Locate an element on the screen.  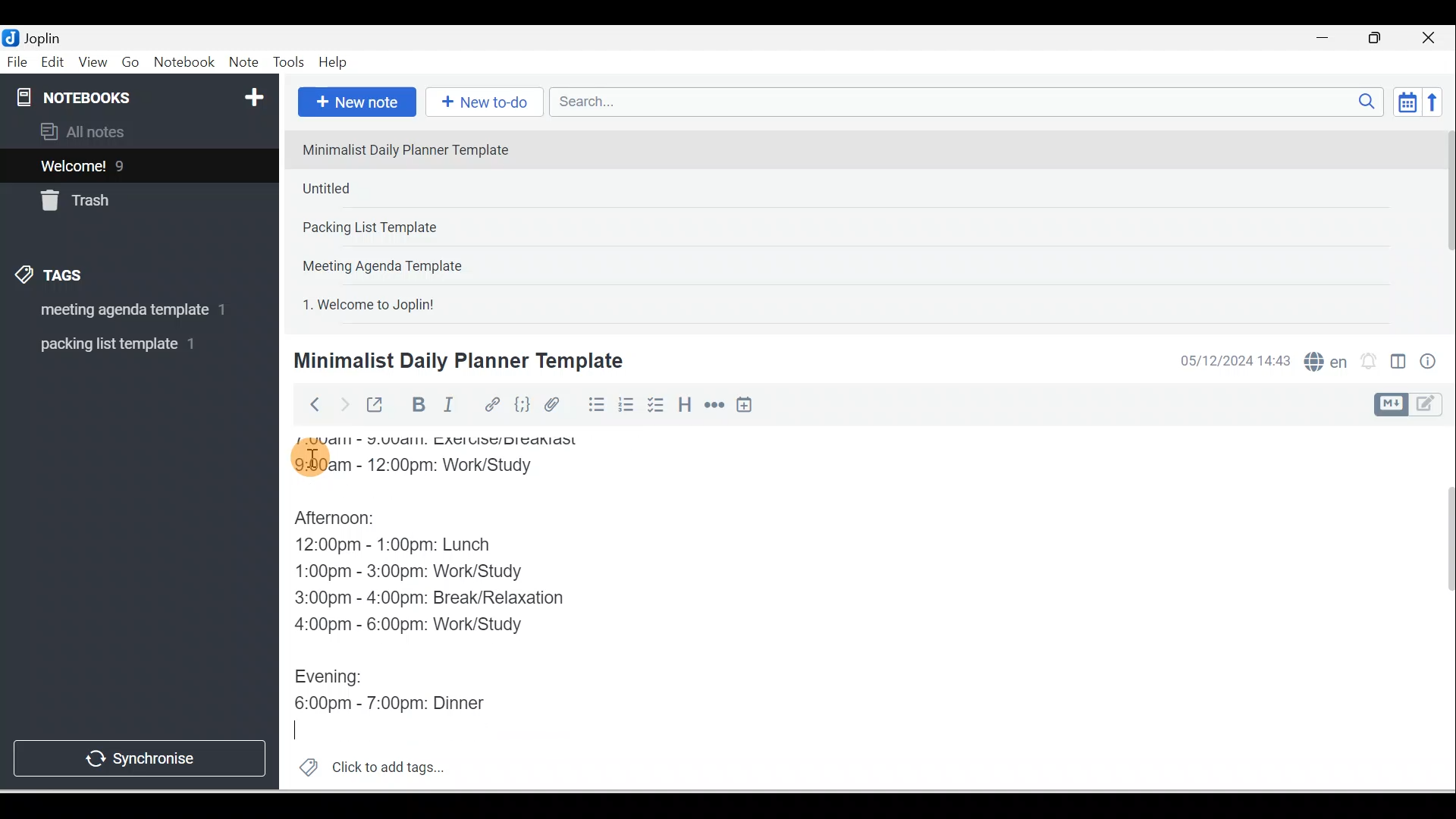
Edit is located at coordinates (54, 63).